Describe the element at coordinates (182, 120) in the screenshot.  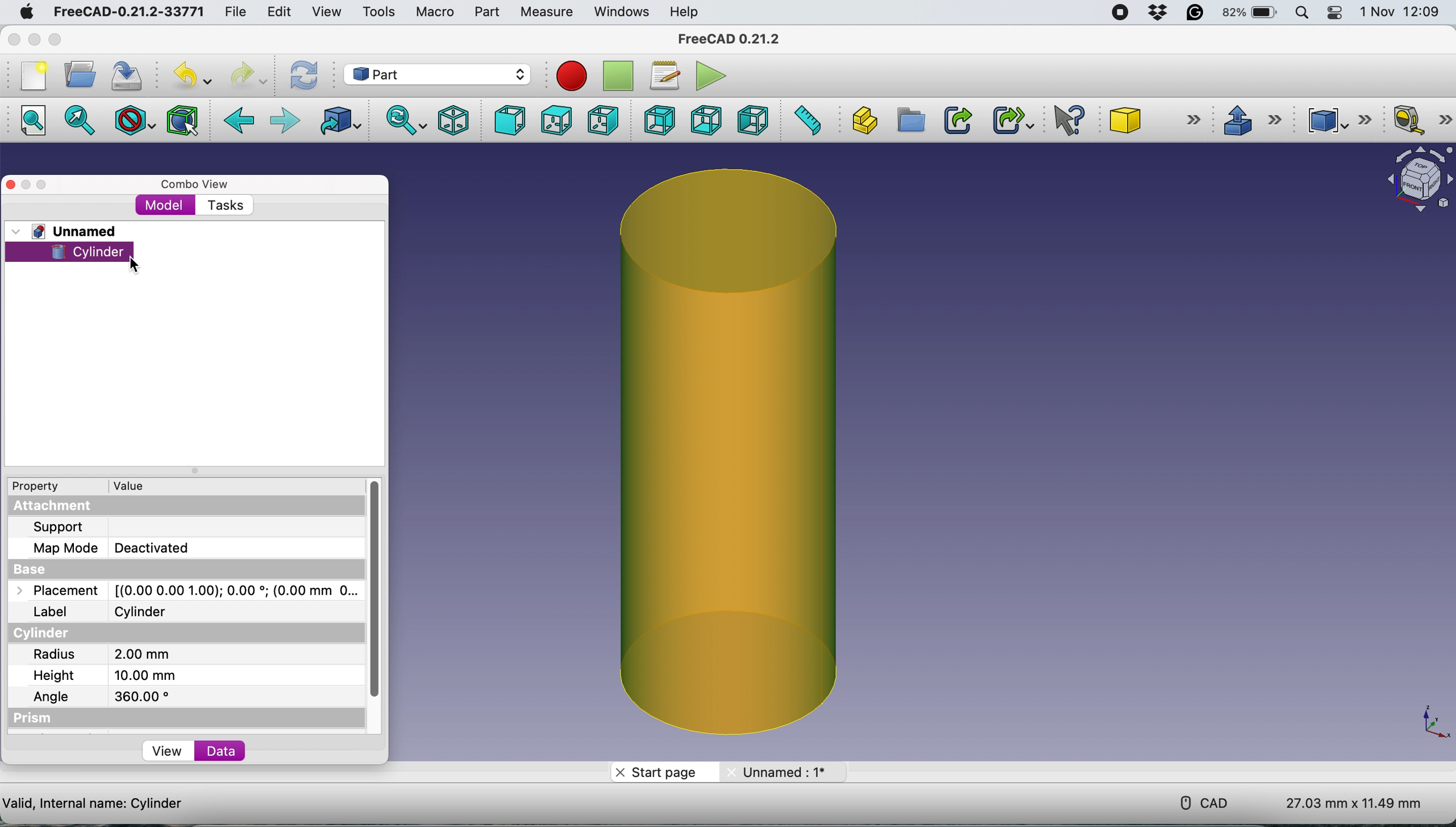
I see `bounding box` at that location.